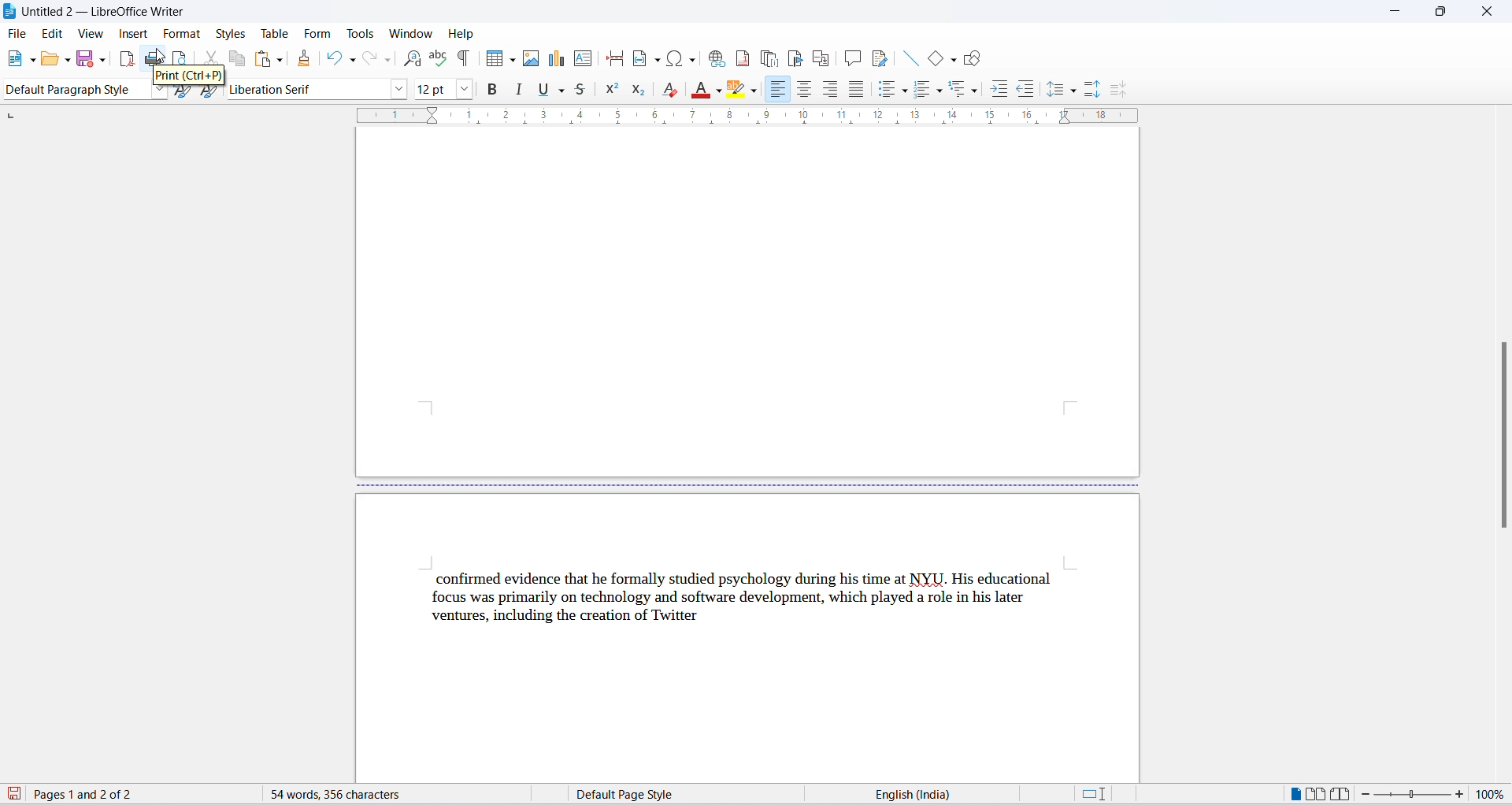 The image size is (1512, 805). What do you see at coordinates (559, 59) in the screenshot?
I see `insert chart` at bounding box center [559, 59].